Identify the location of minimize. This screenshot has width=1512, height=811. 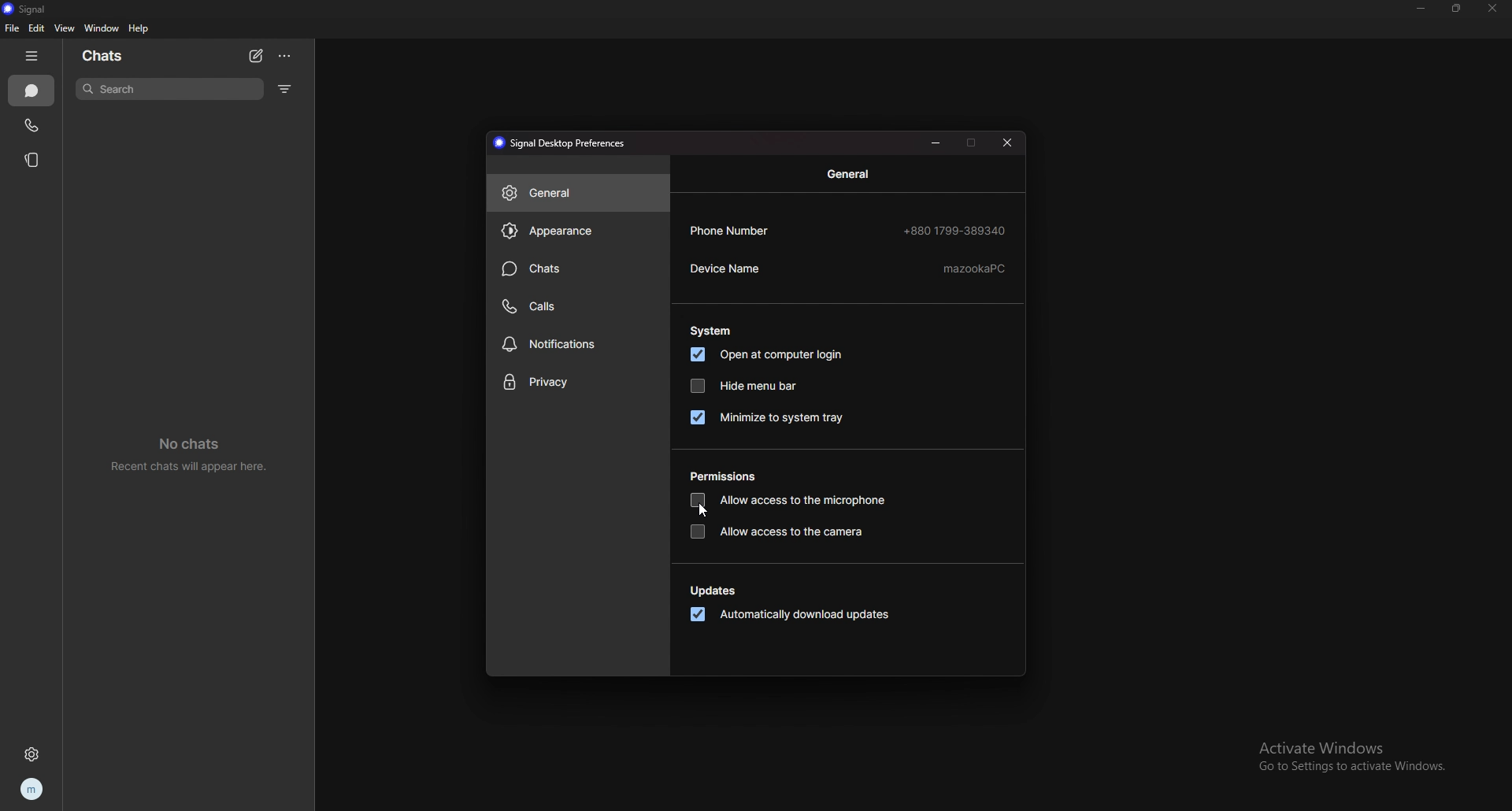
(1421, 8).